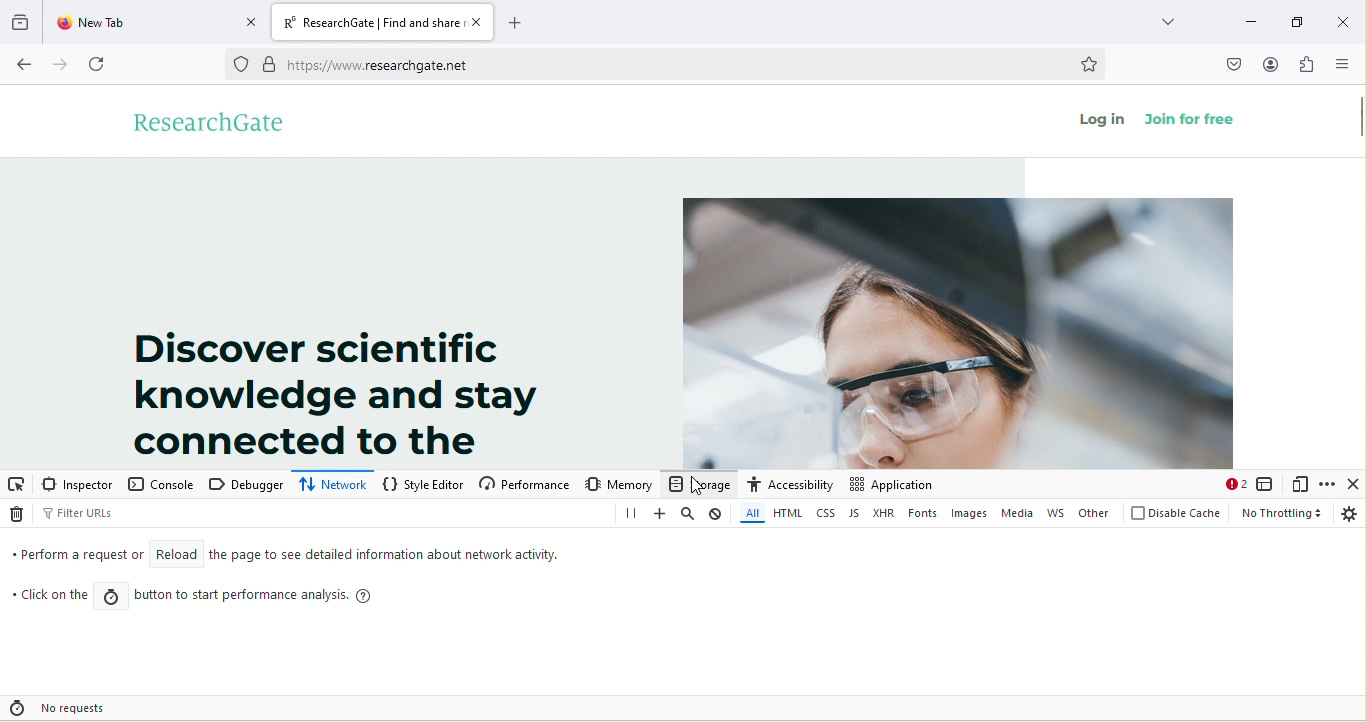 Image resolution: width=1366 pixels, height=722 pixels. Describe the element at coordinates (851, 514) in the screenshot. I see `js` at that location.